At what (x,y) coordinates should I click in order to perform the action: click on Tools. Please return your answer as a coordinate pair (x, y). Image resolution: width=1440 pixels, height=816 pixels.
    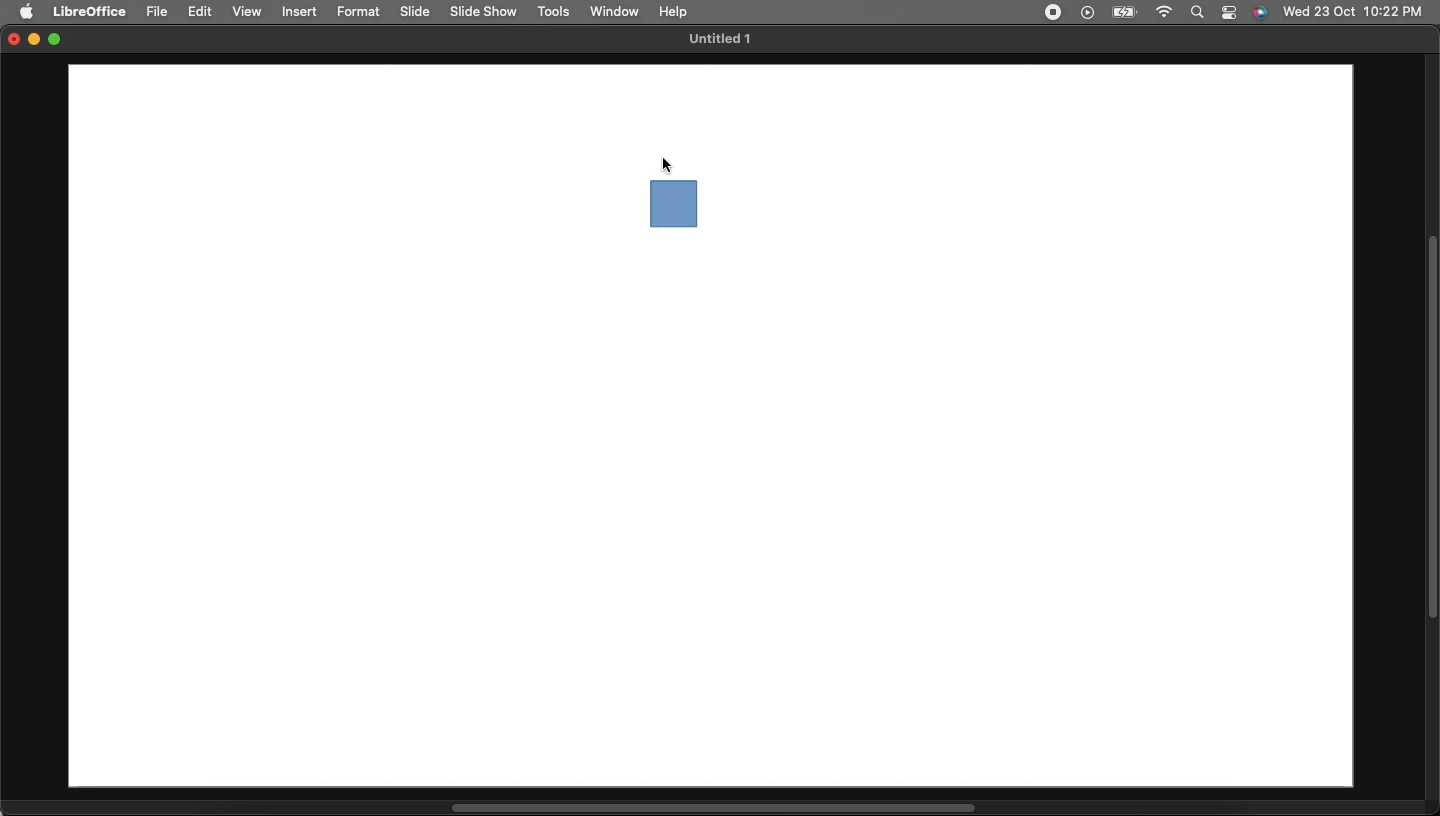
    Looking at the image, I should click on (555, 12).